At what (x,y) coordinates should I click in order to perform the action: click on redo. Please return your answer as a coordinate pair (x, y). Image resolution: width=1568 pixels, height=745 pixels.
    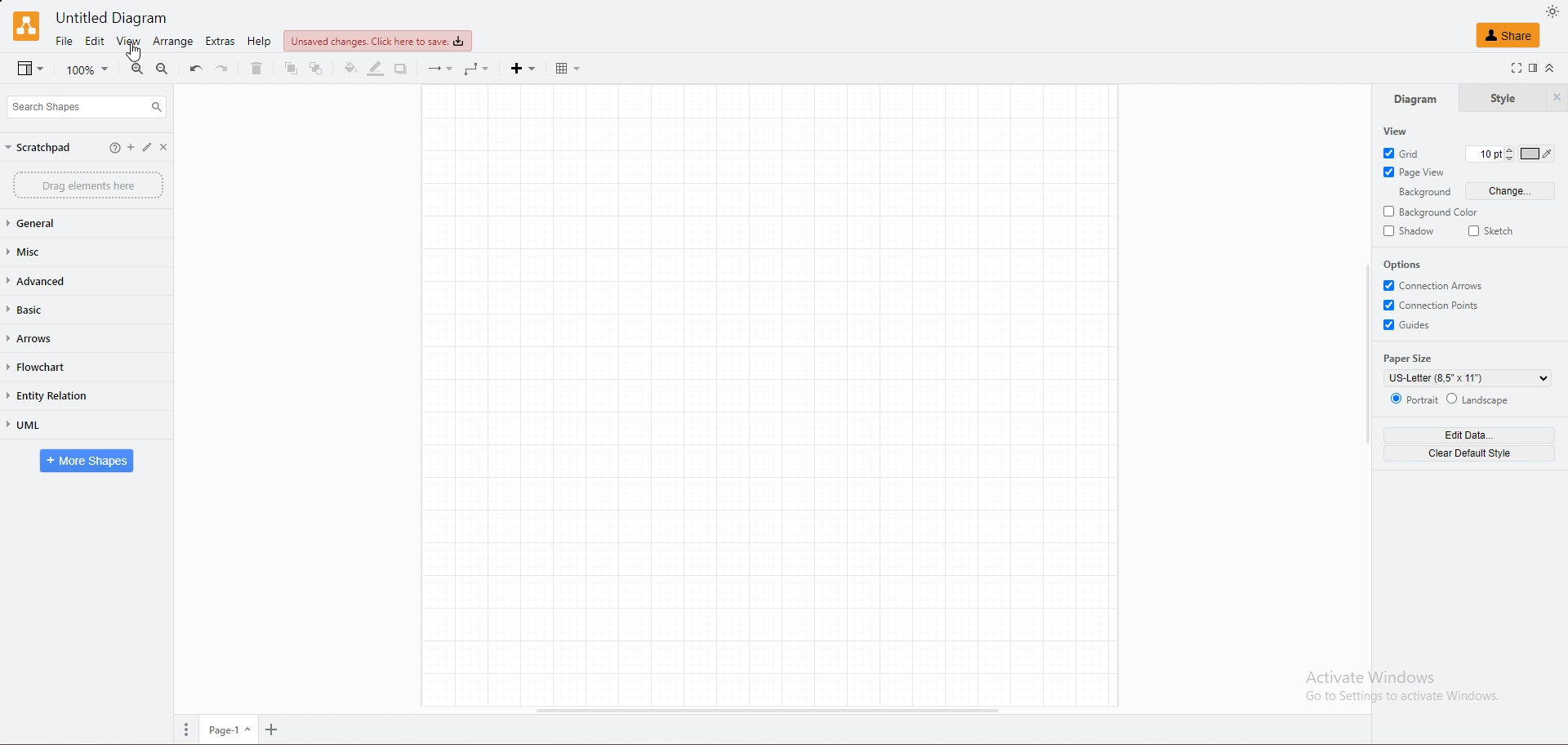
    Looking at the image, I should click on (223, 69).